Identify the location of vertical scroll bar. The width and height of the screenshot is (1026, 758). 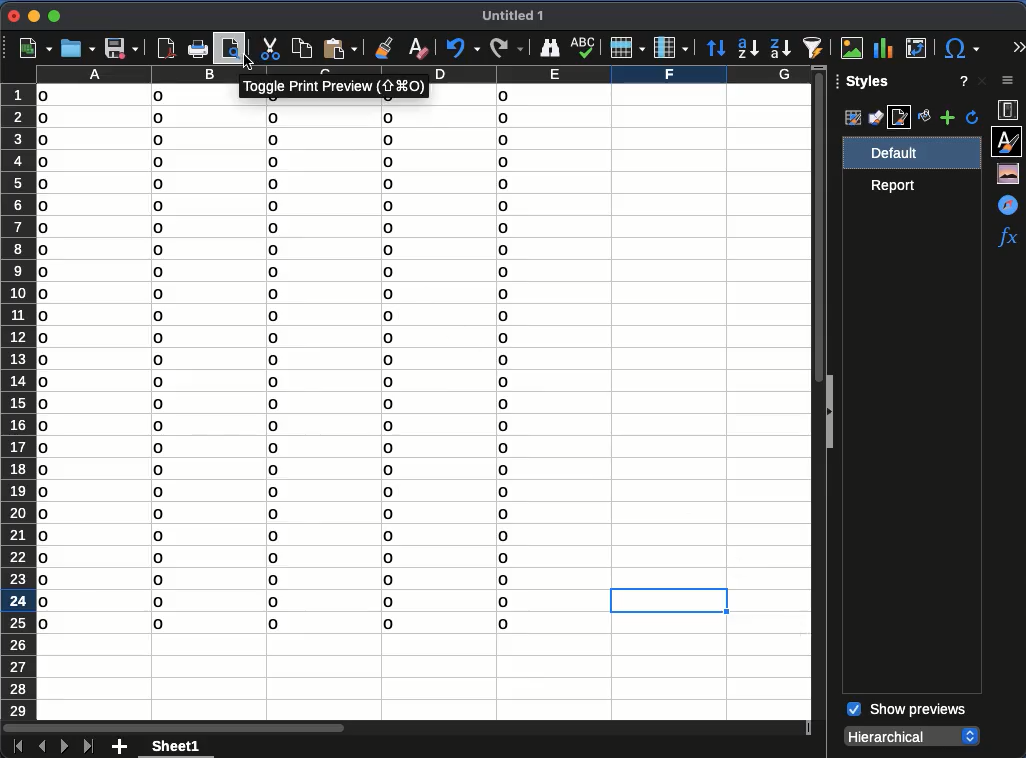
(811, 227).